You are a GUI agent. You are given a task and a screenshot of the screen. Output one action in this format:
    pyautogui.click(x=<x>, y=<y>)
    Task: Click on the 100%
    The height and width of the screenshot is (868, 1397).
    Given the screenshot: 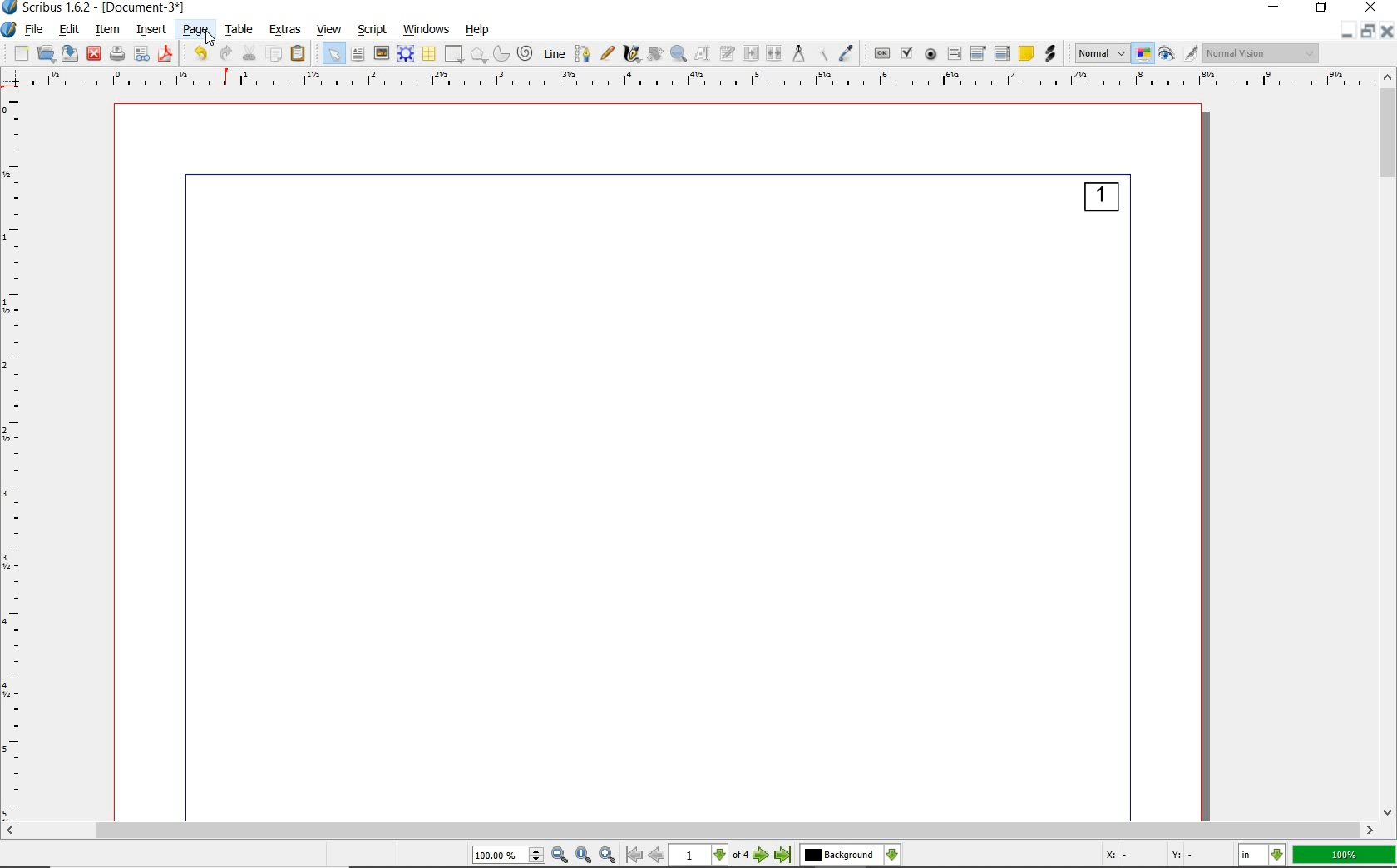 What is the action you would take?
    pyautogui.click(x=1345, y=856)
    